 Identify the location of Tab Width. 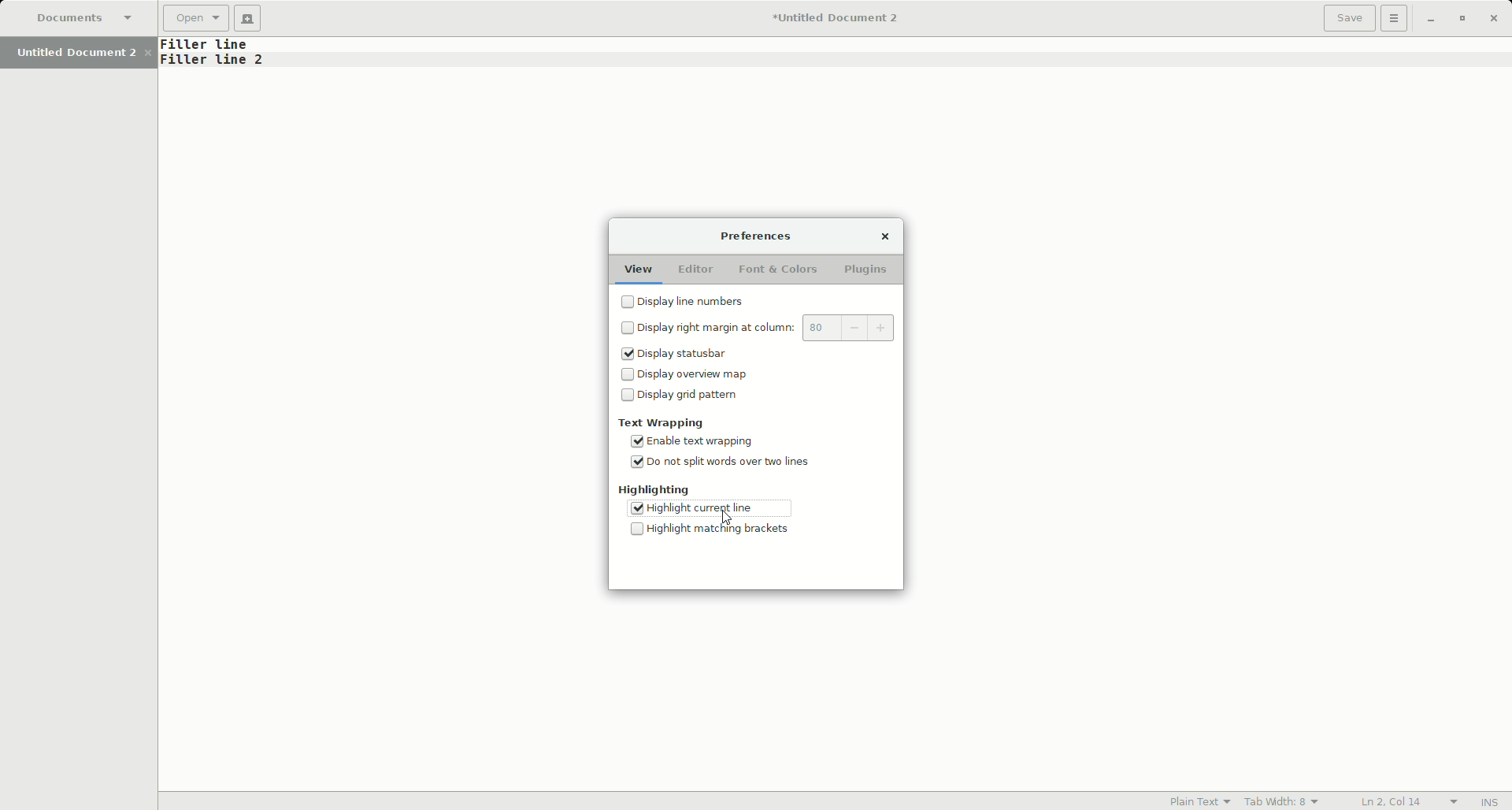
(1284, 800).